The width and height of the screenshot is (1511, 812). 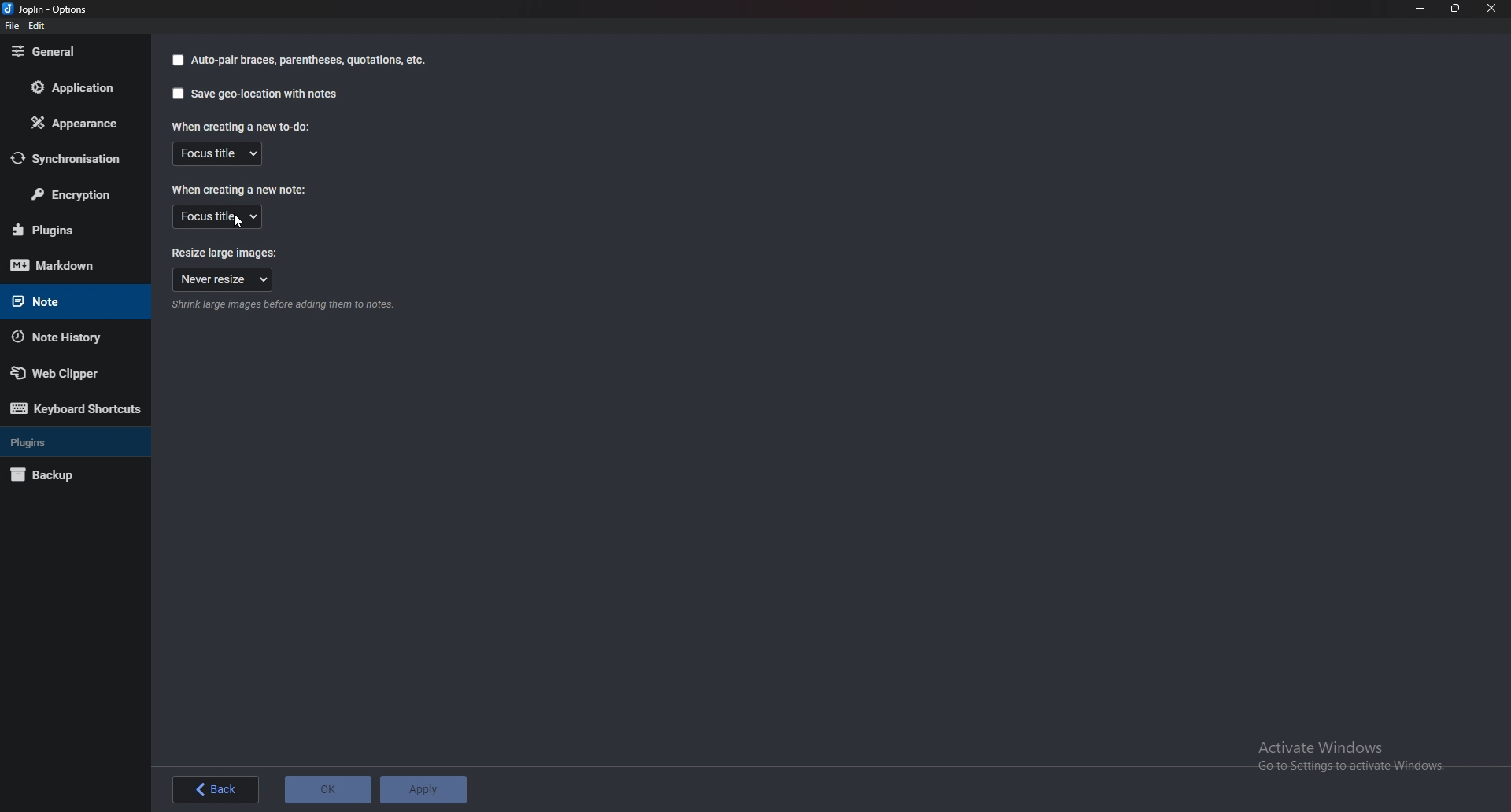 What do you see at coordinates (267, 94) in the screenshot?
I see `Save geolocation with notes` at bounding box center [267, 94].